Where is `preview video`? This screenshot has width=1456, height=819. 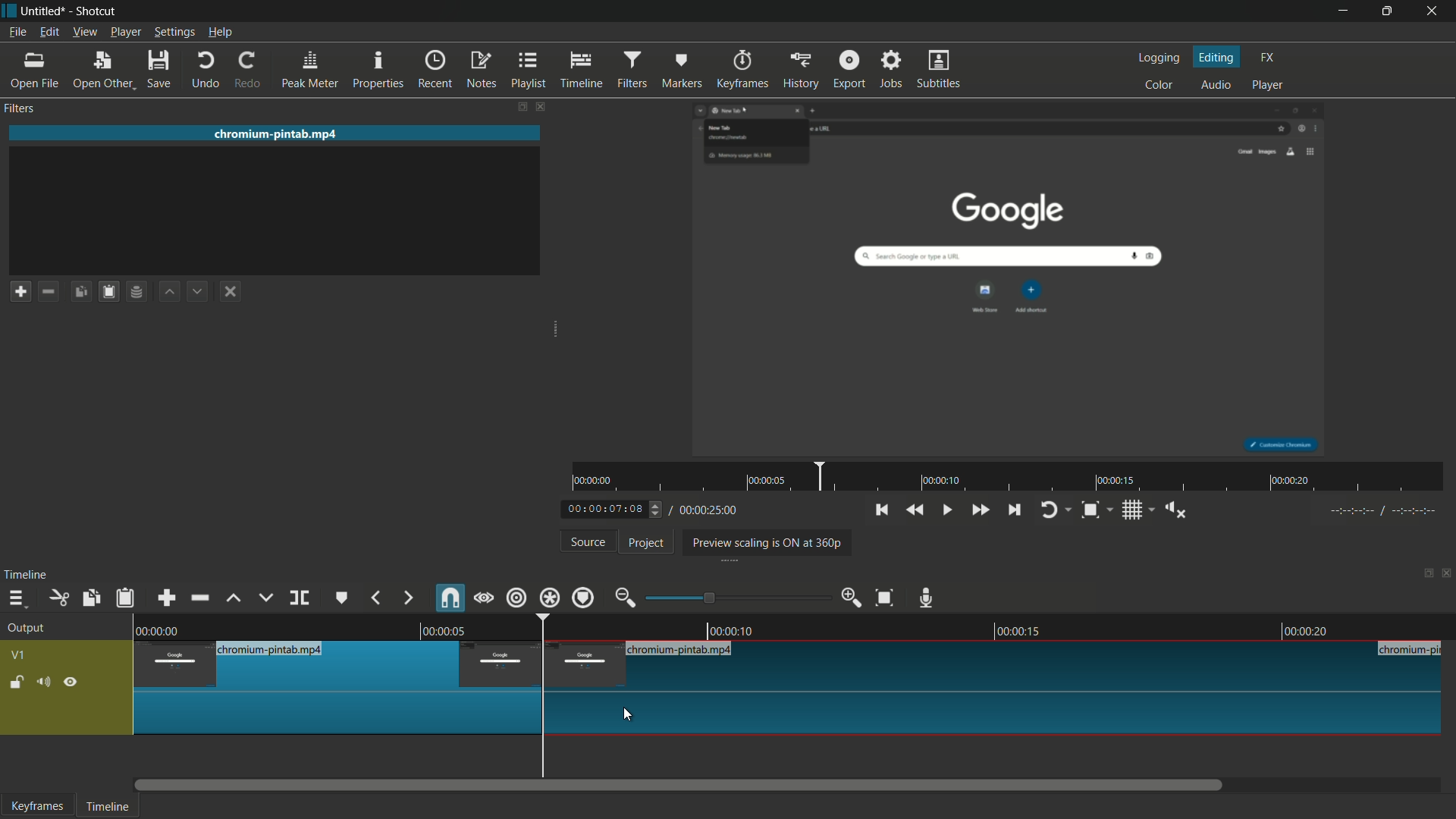 preview video is located at coordinates (1012, 279).